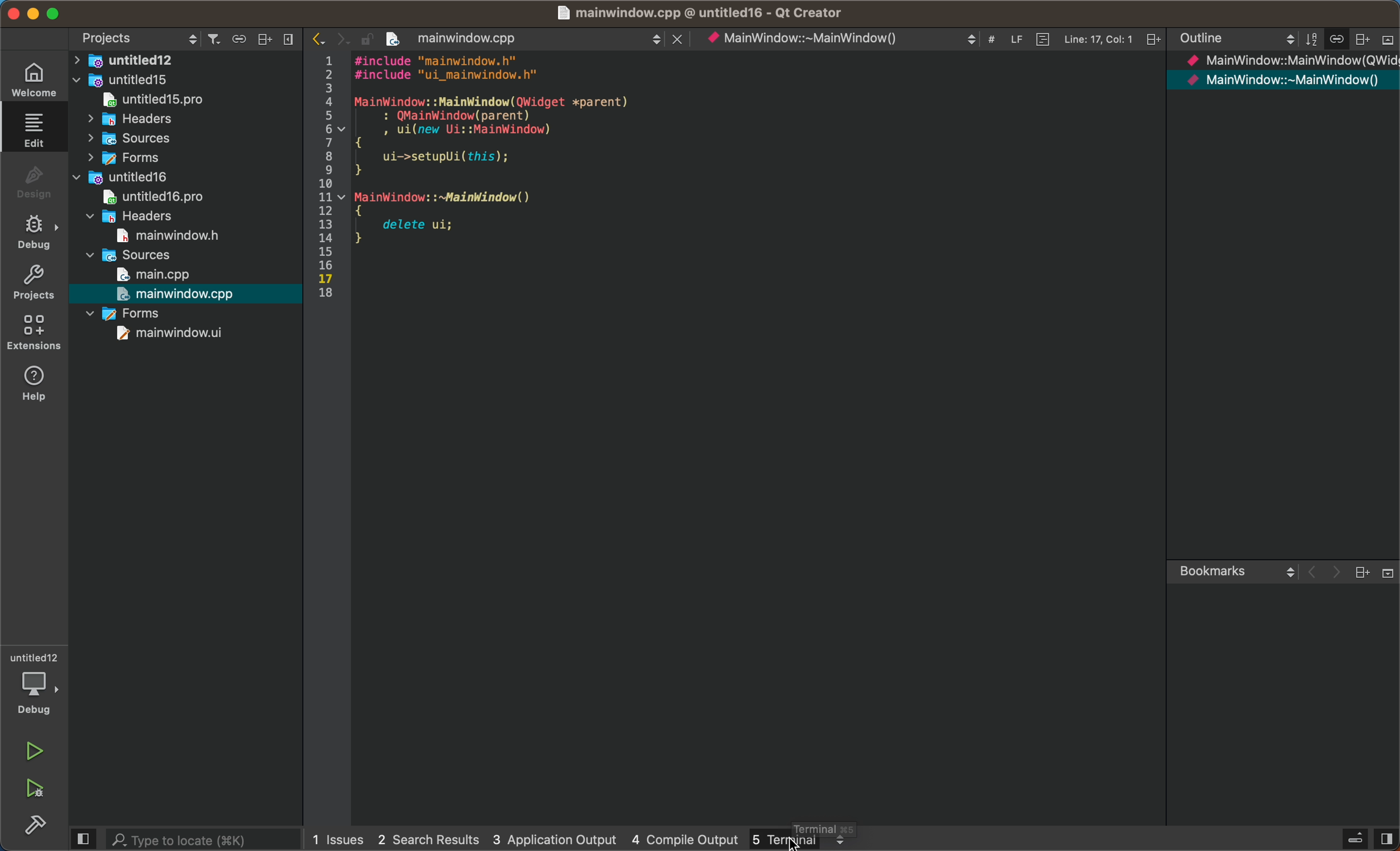 The height and width of the screenshot is (851, 1400). I want to click on link, so click(238, 39).